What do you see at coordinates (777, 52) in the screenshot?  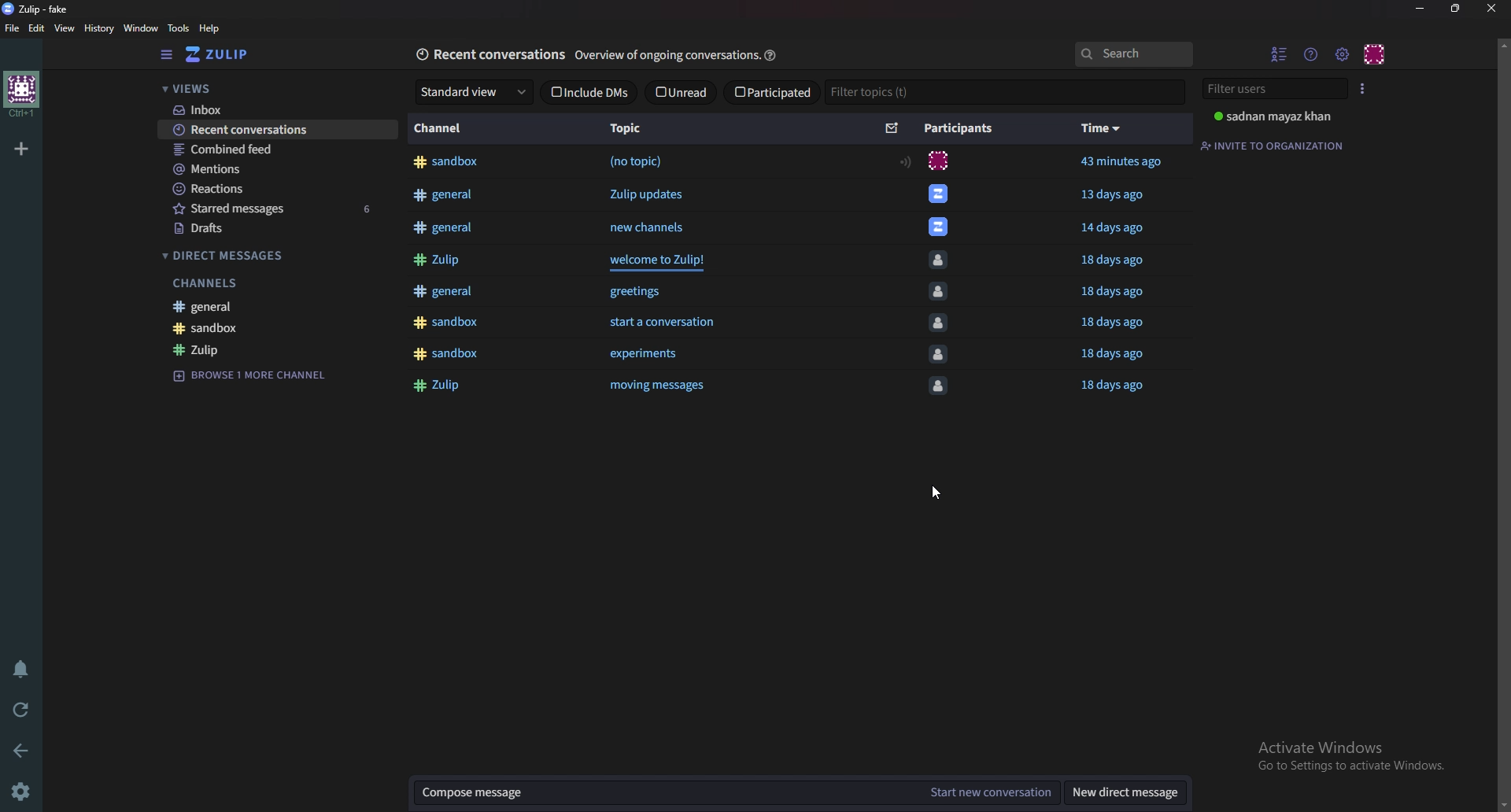 I see `help` at bounding box center [777, 52].